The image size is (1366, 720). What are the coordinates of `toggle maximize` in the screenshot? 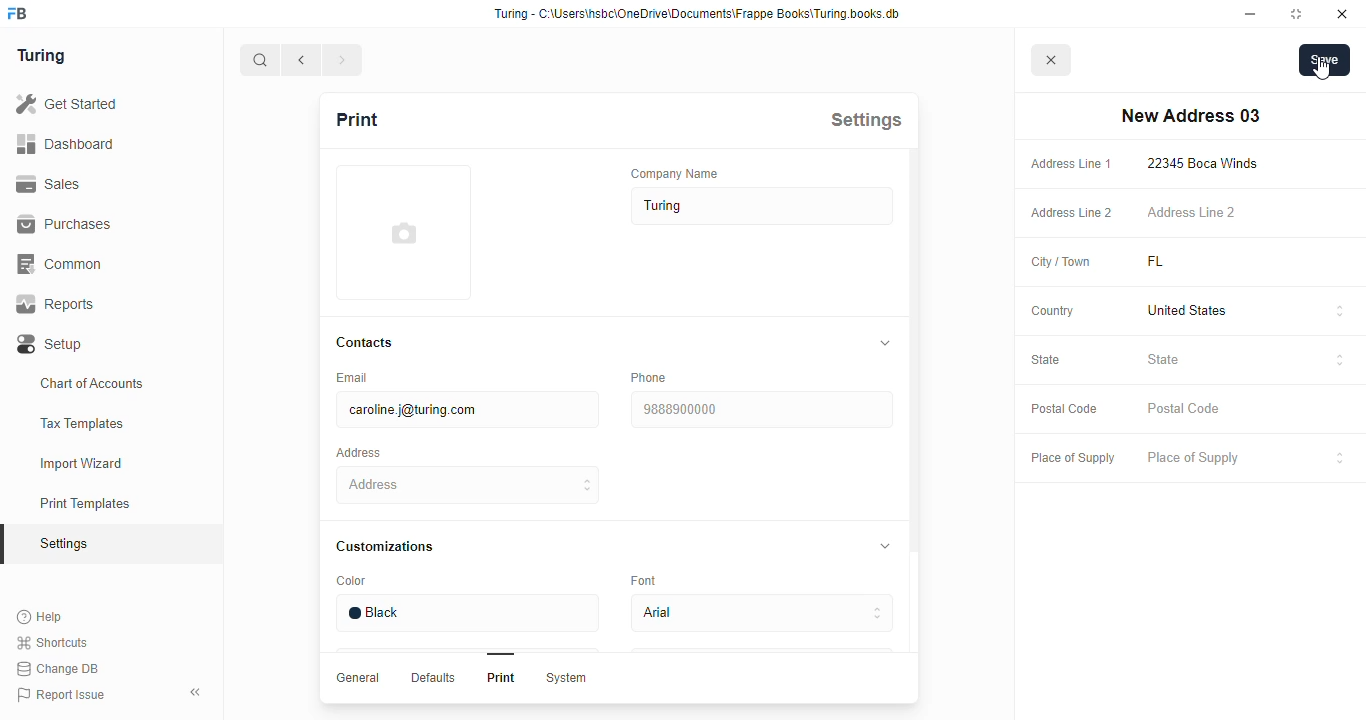 It's located at (1295, 13).